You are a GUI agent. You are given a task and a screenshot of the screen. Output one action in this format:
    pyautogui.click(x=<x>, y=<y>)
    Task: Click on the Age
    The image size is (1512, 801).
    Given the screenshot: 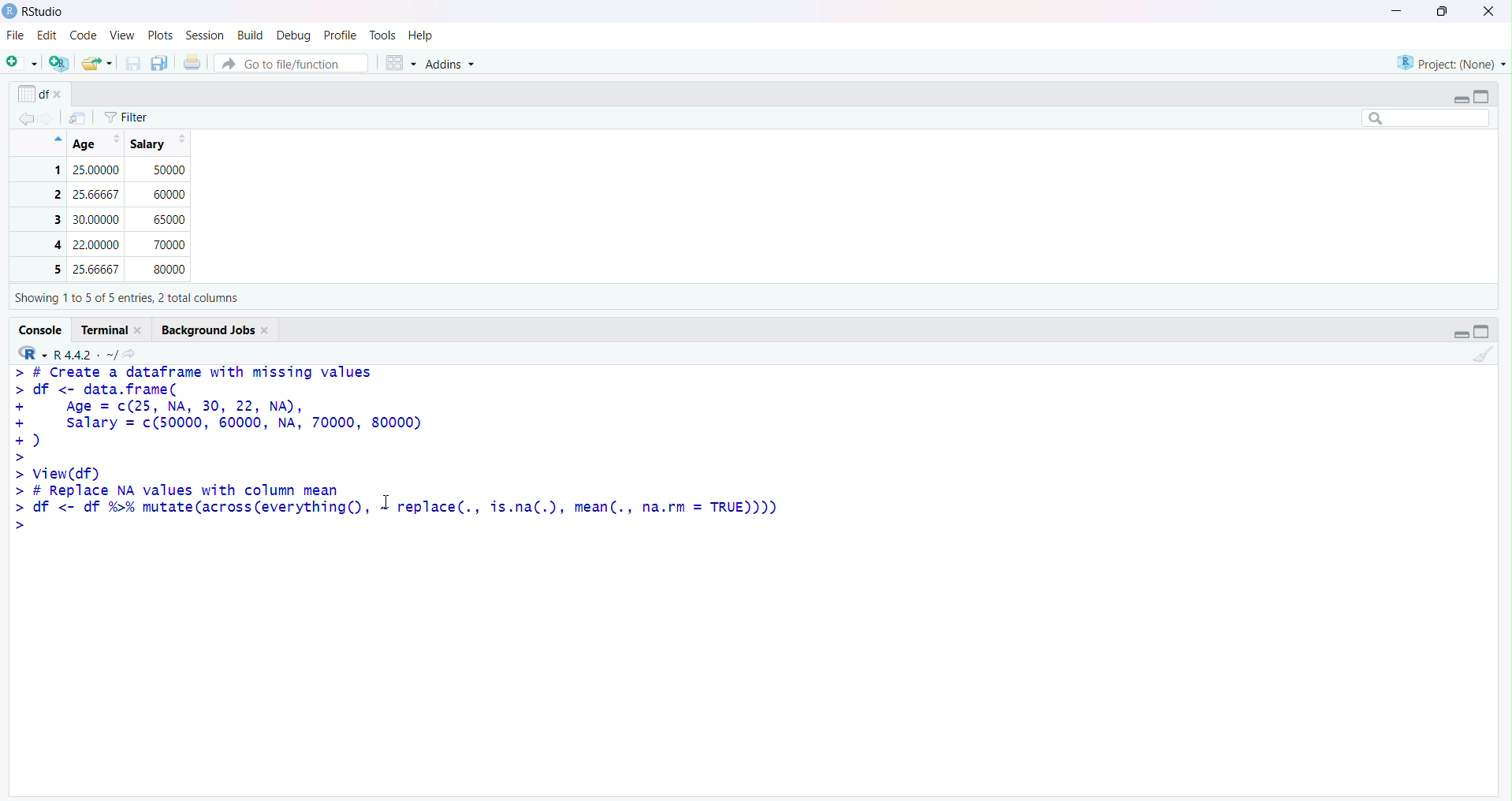 What is the action you would take?
    pyautogui.click(x=96, y=144)
    